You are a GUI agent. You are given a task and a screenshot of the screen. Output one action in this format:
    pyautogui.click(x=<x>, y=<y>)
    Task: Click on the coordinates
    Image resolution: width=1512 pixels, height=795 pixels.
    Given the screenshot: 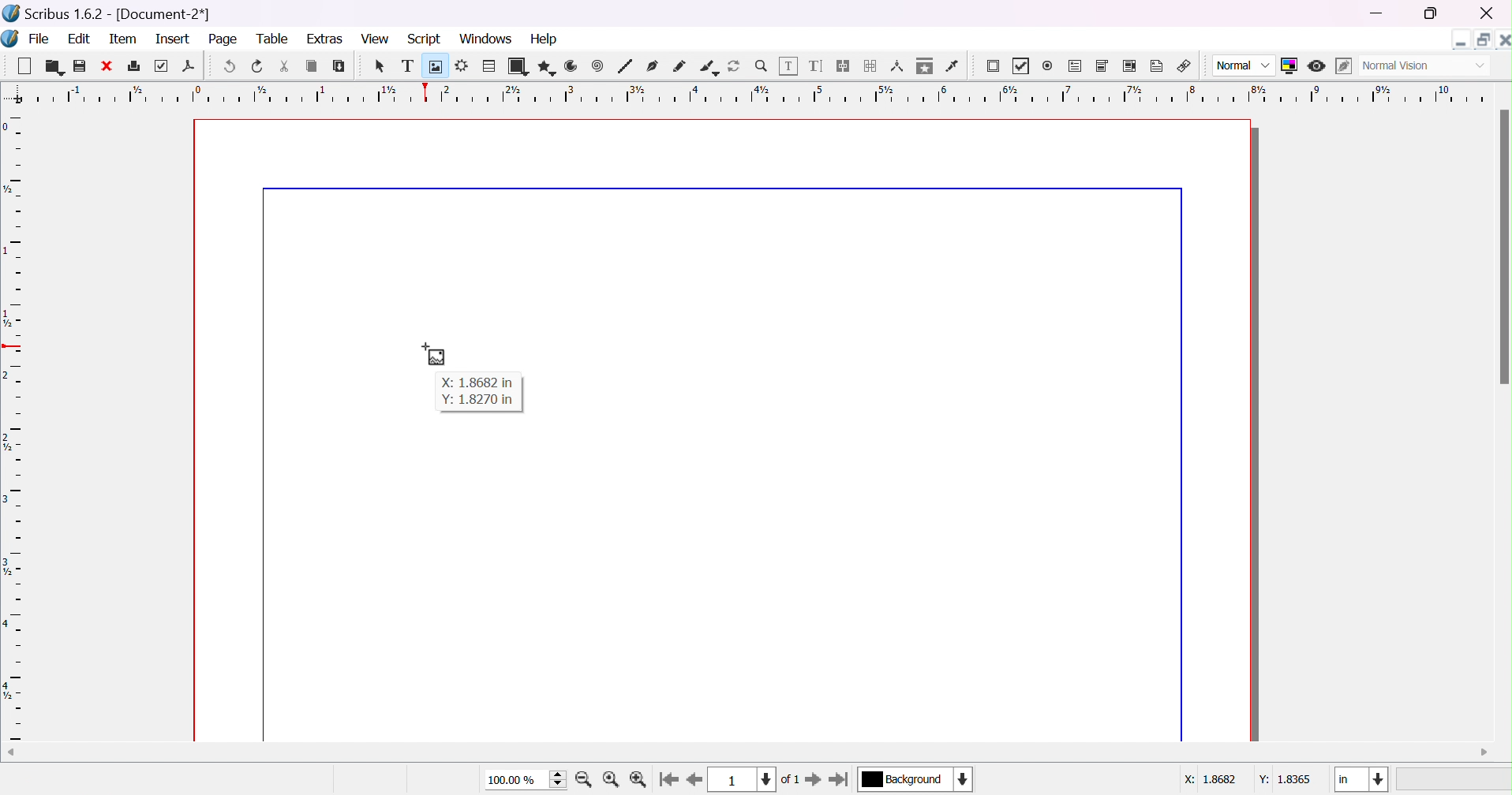 What is the action you would take?
    pyautogui.click(x=1236, y=780)
    